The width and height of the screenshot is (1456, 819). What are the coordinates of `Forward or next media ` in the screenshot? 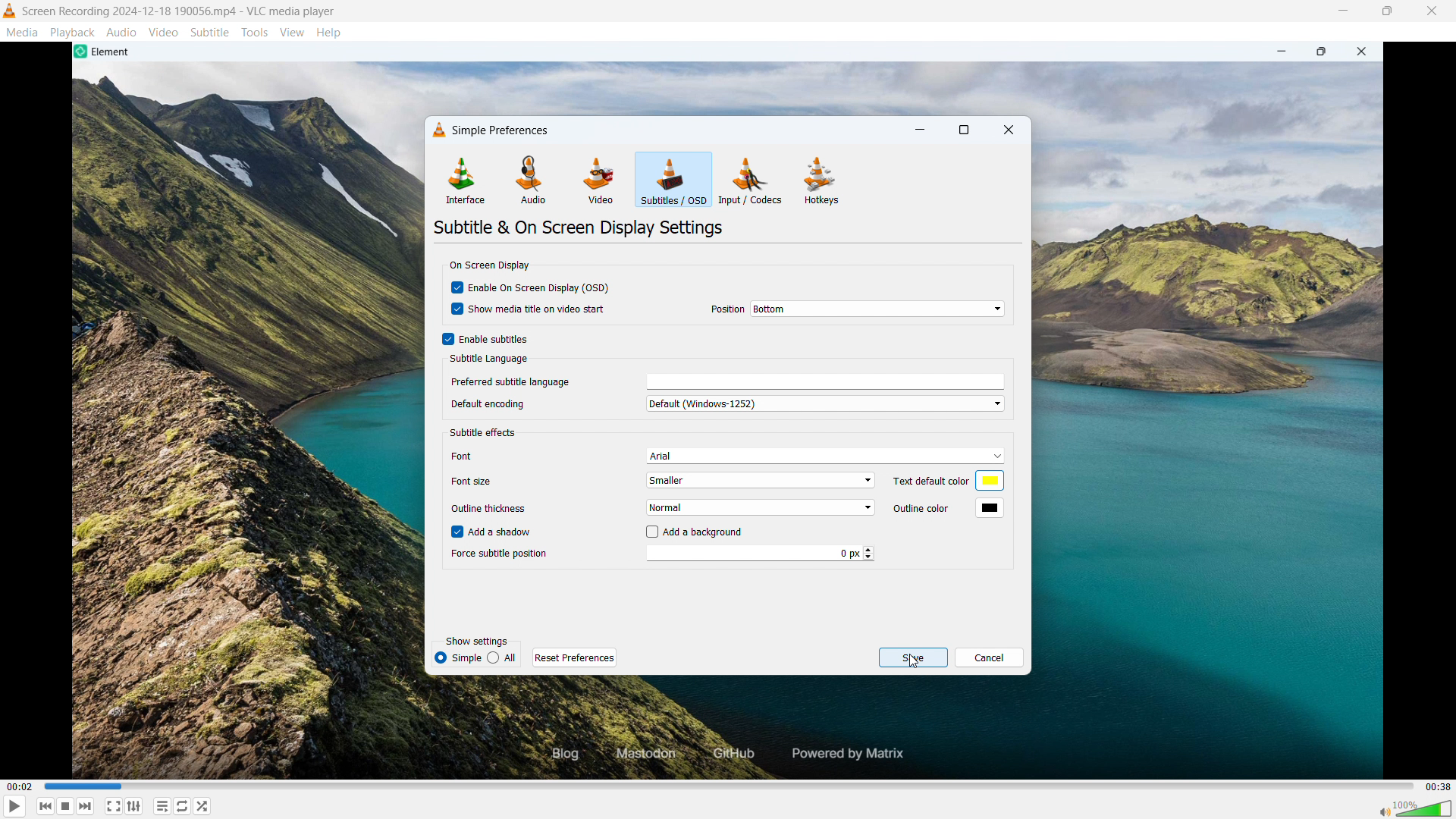 It's located at (66, 806).